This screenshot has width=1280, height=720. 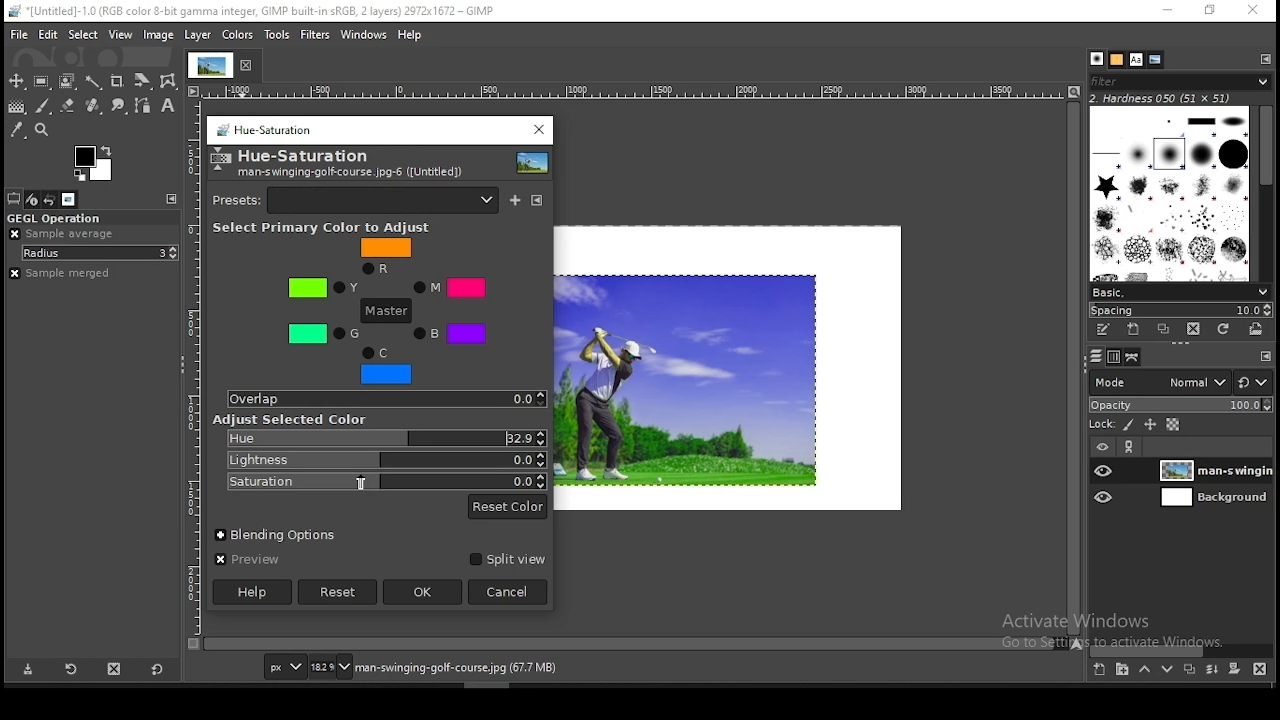 What do you see at coordinates (385, 459) in the screenshot?
I see `lightness` at bounding box center [385, 459].